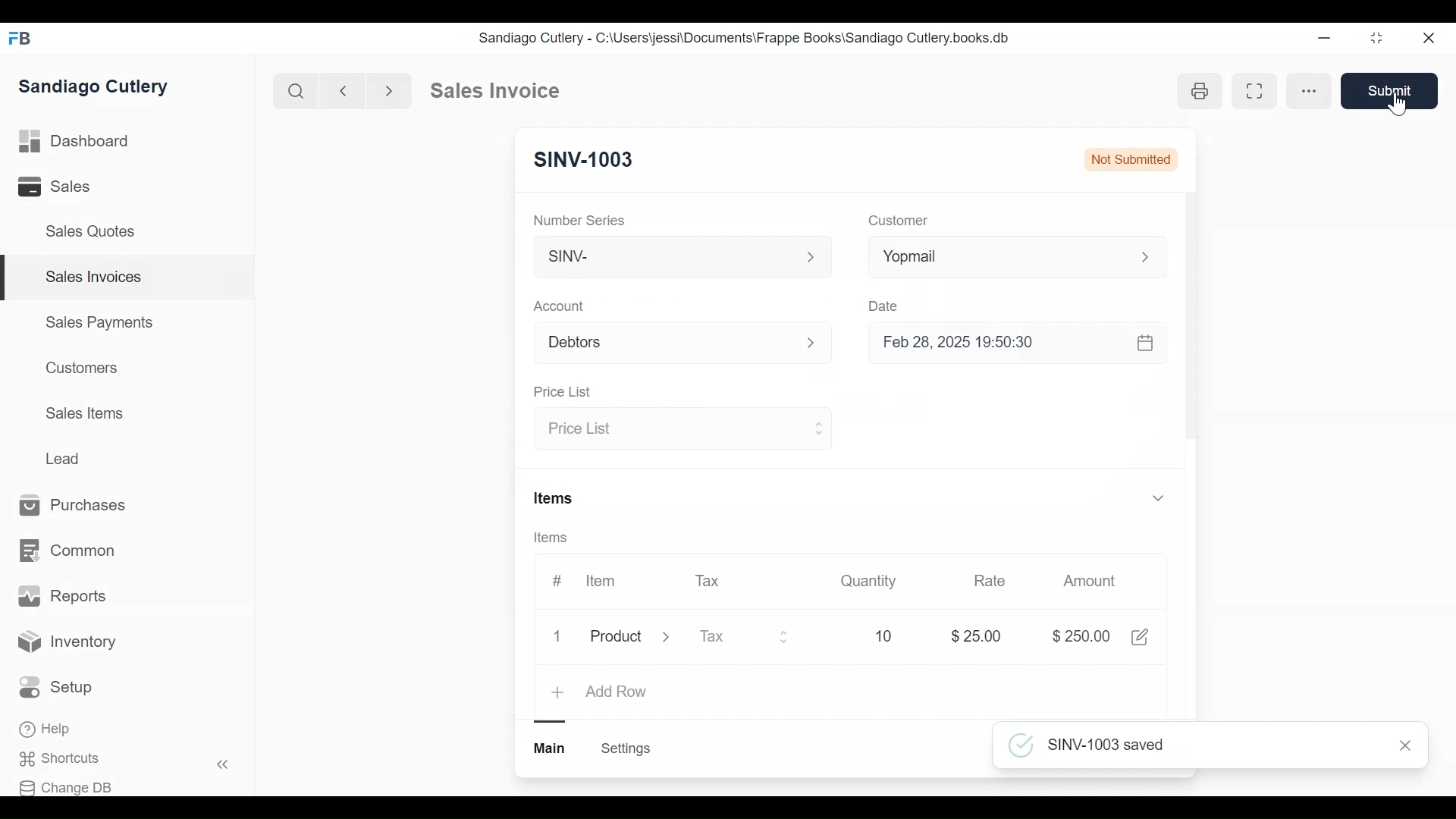 This screenshot has width=1456, height=819. What do you see at coordinates (75, 140) in the screenshot?
I see `Dashboard` at bounding box center [75, 140].